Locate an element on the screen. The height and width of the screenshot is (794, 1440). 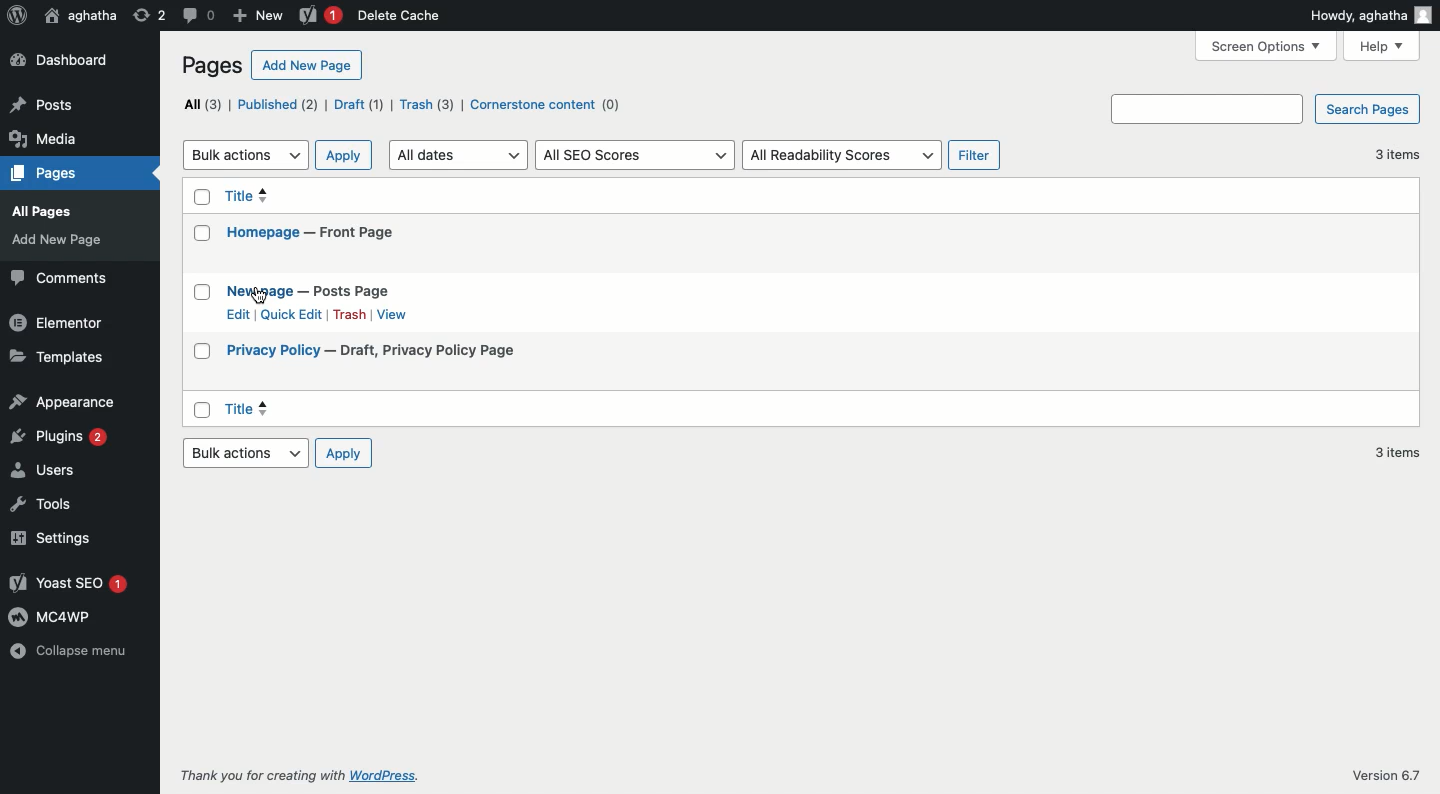
Trash is located at coordinates (426, 104).